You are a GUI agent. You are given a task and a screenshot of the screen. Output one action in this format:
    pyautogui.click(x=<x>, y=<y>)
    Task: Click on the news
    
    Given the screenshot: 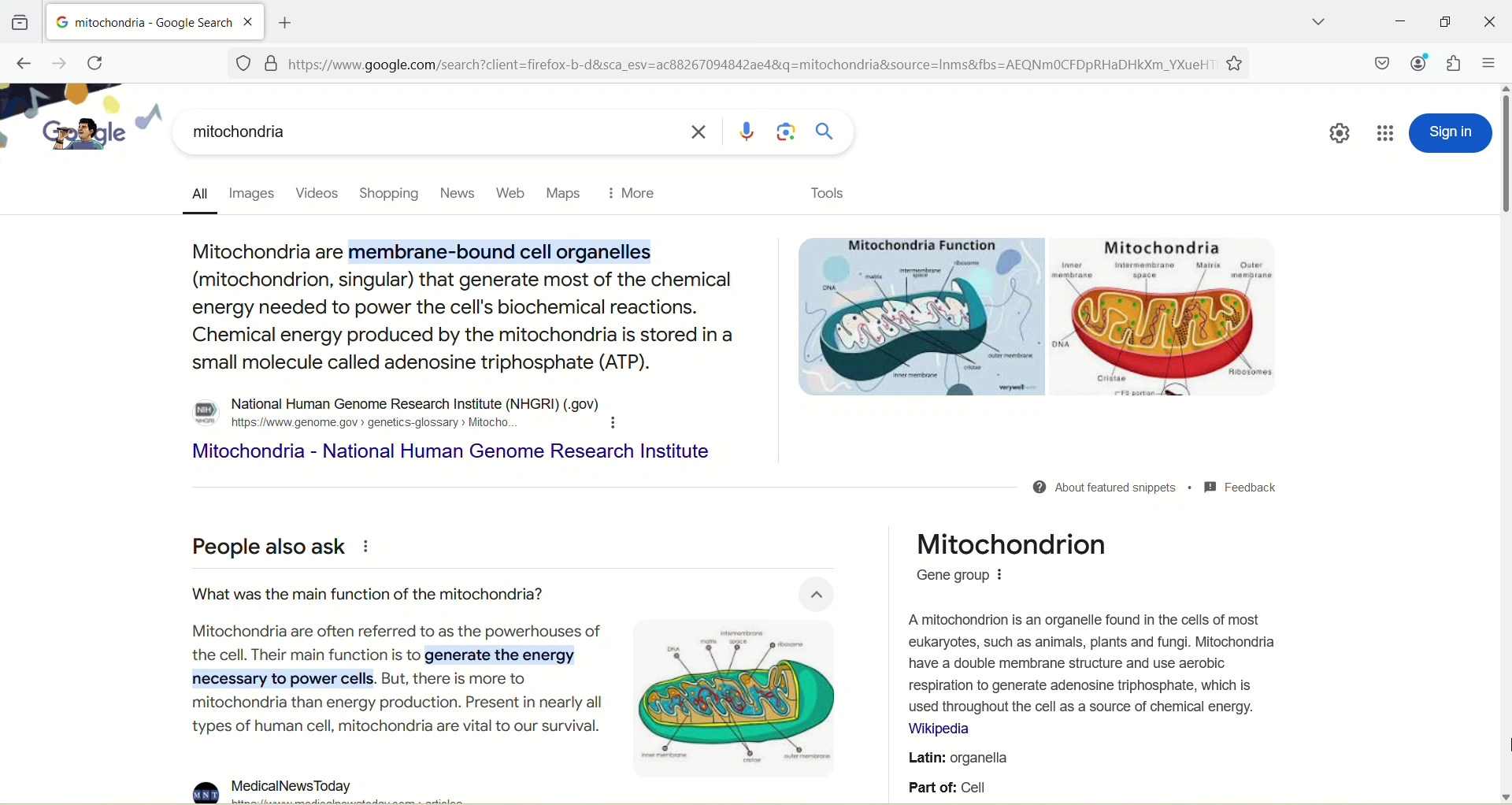 What is the action you would take?
    pyautogui.click(x=458, y=195)
    